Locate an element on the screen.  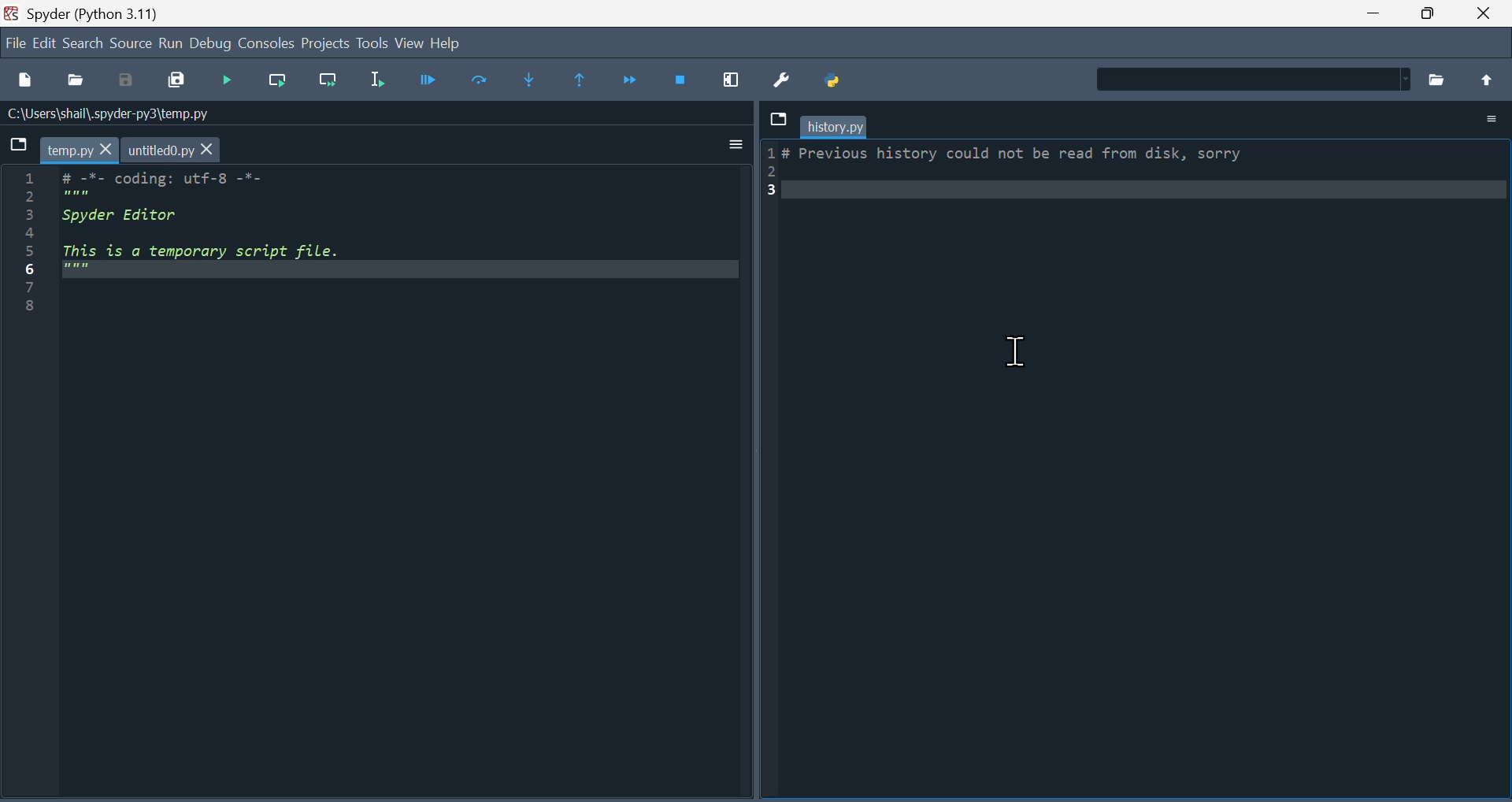
spyder (Python 3.11) is located at coordinates (101, 13).